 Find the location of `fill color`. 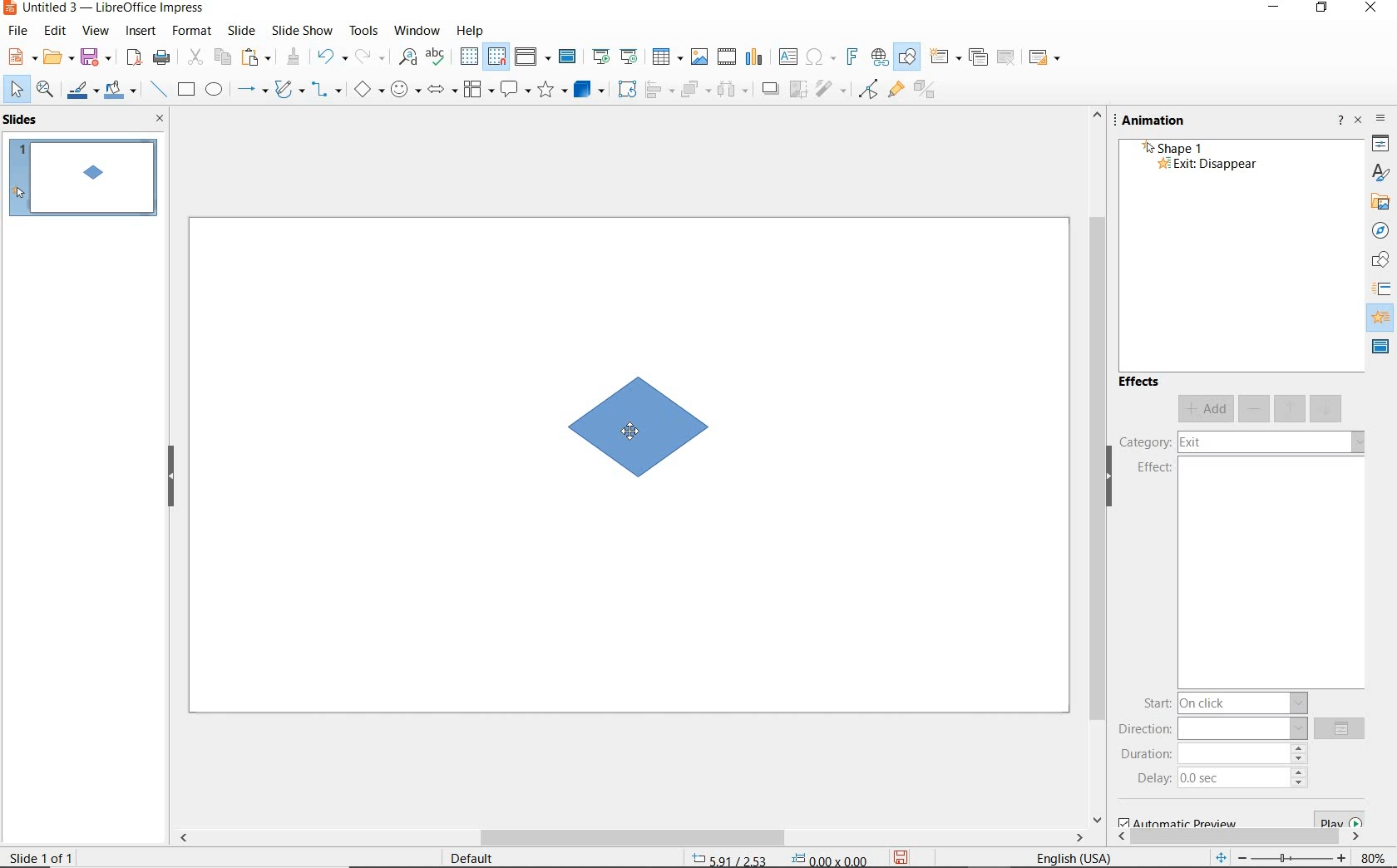

fill color is located at coordinates (121, 91).